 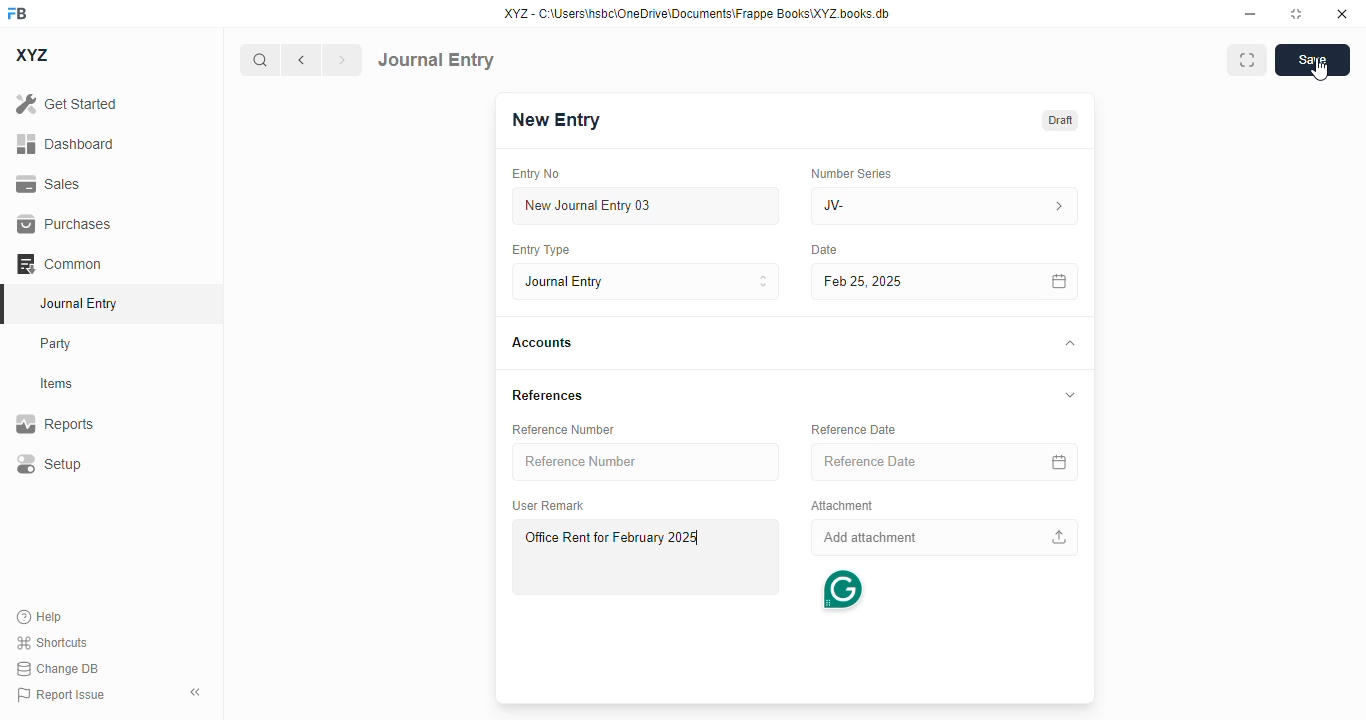 What do you see at coordinates (51, 642) in the screenshot?
I see `shortcuts` at bounding box center [51, 642].